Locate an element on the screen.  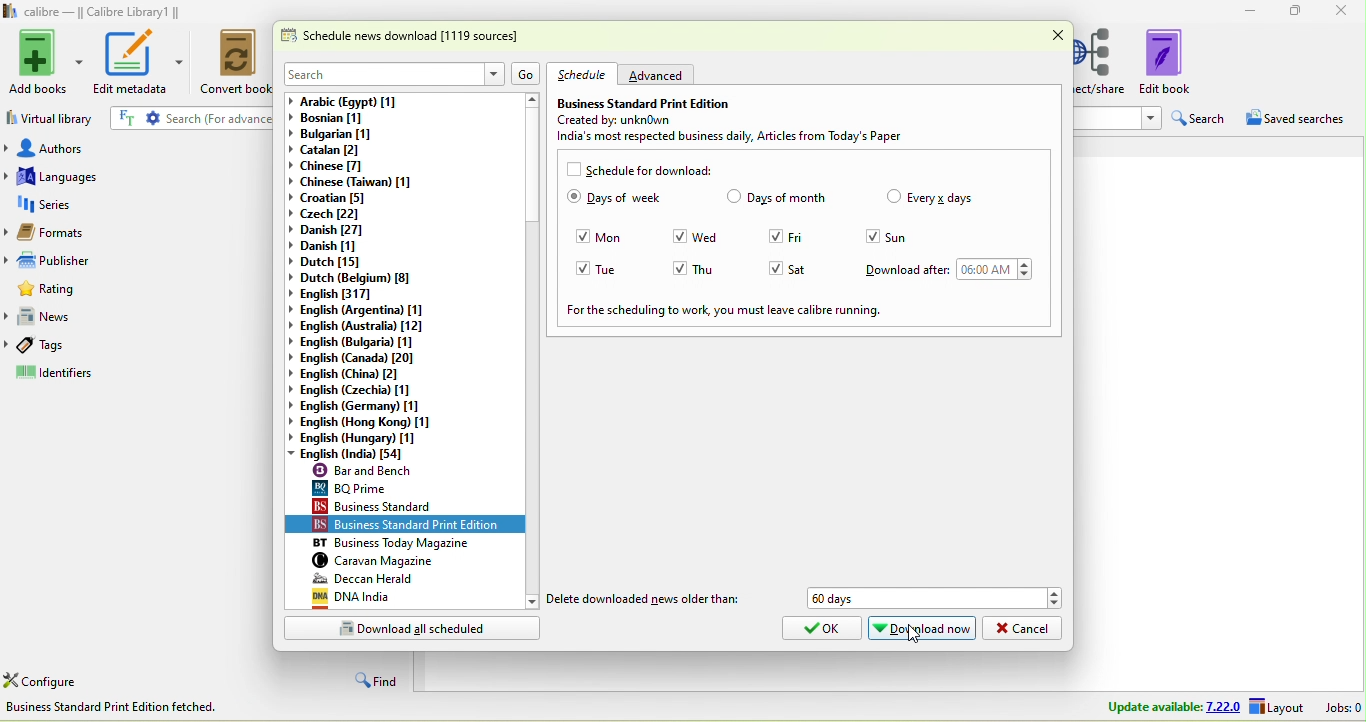
dutch[15] is located at coordinates (336, 263).